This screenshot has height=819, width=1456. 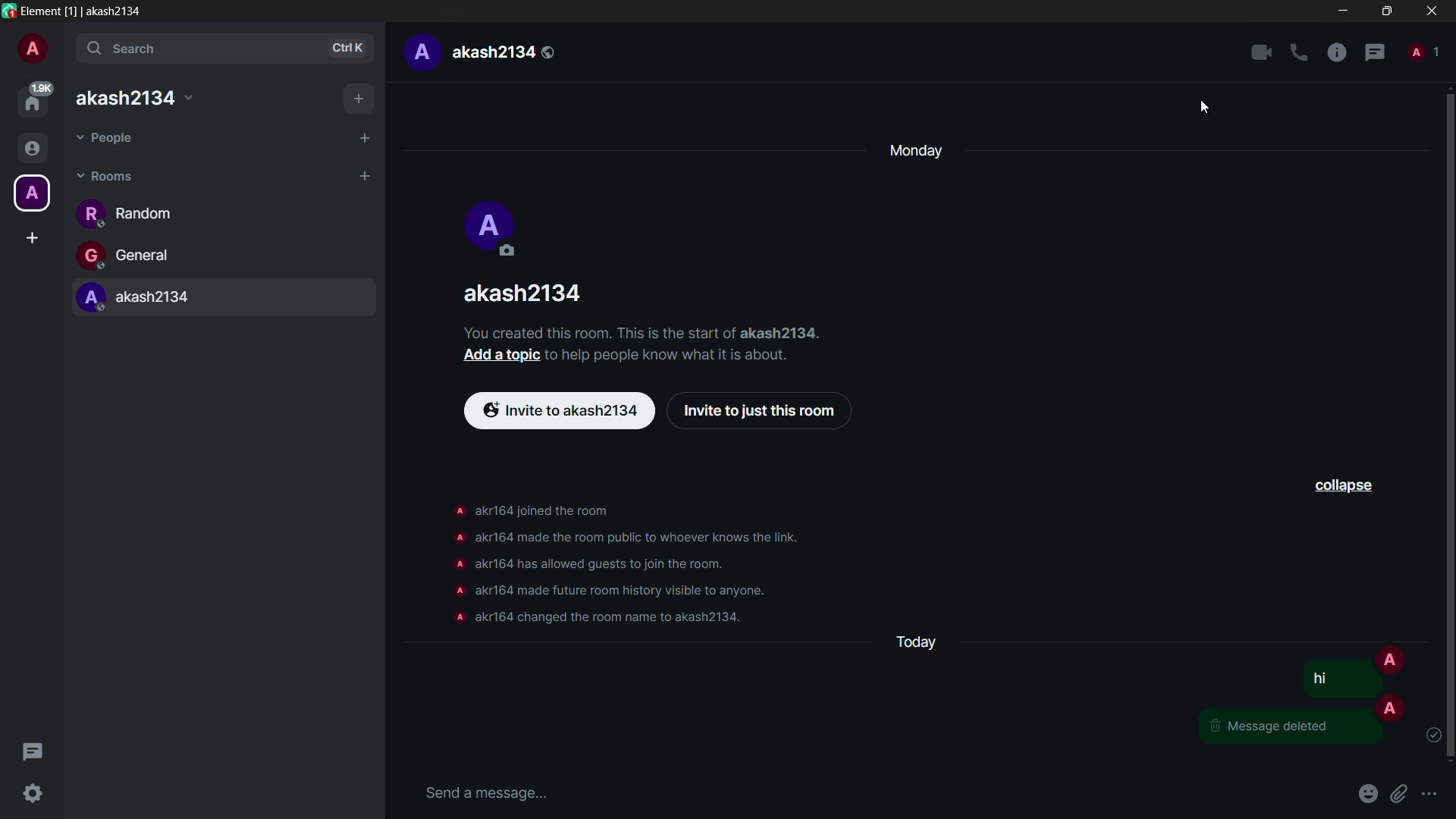 I want to click on profile, so click(x=459, y=565).